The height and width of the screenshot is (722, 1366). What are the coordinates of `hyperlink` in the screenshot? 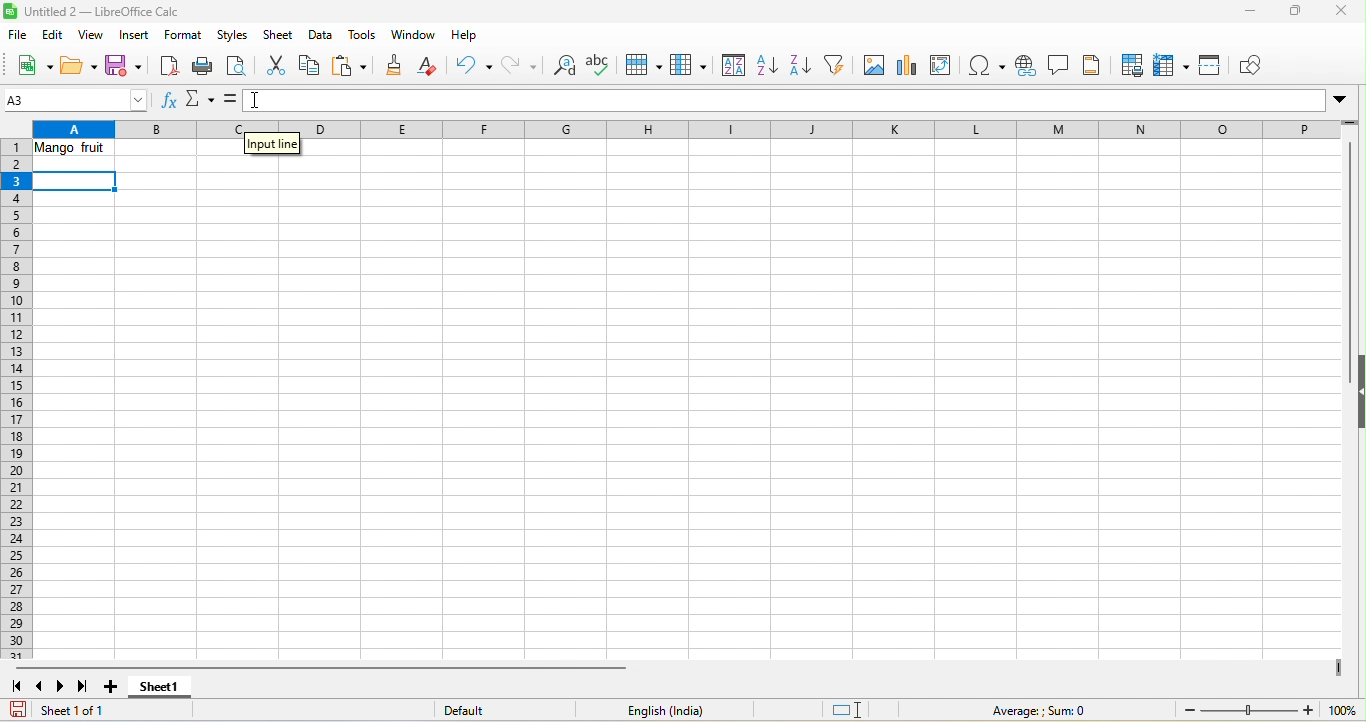 It's located at (1028, 67).